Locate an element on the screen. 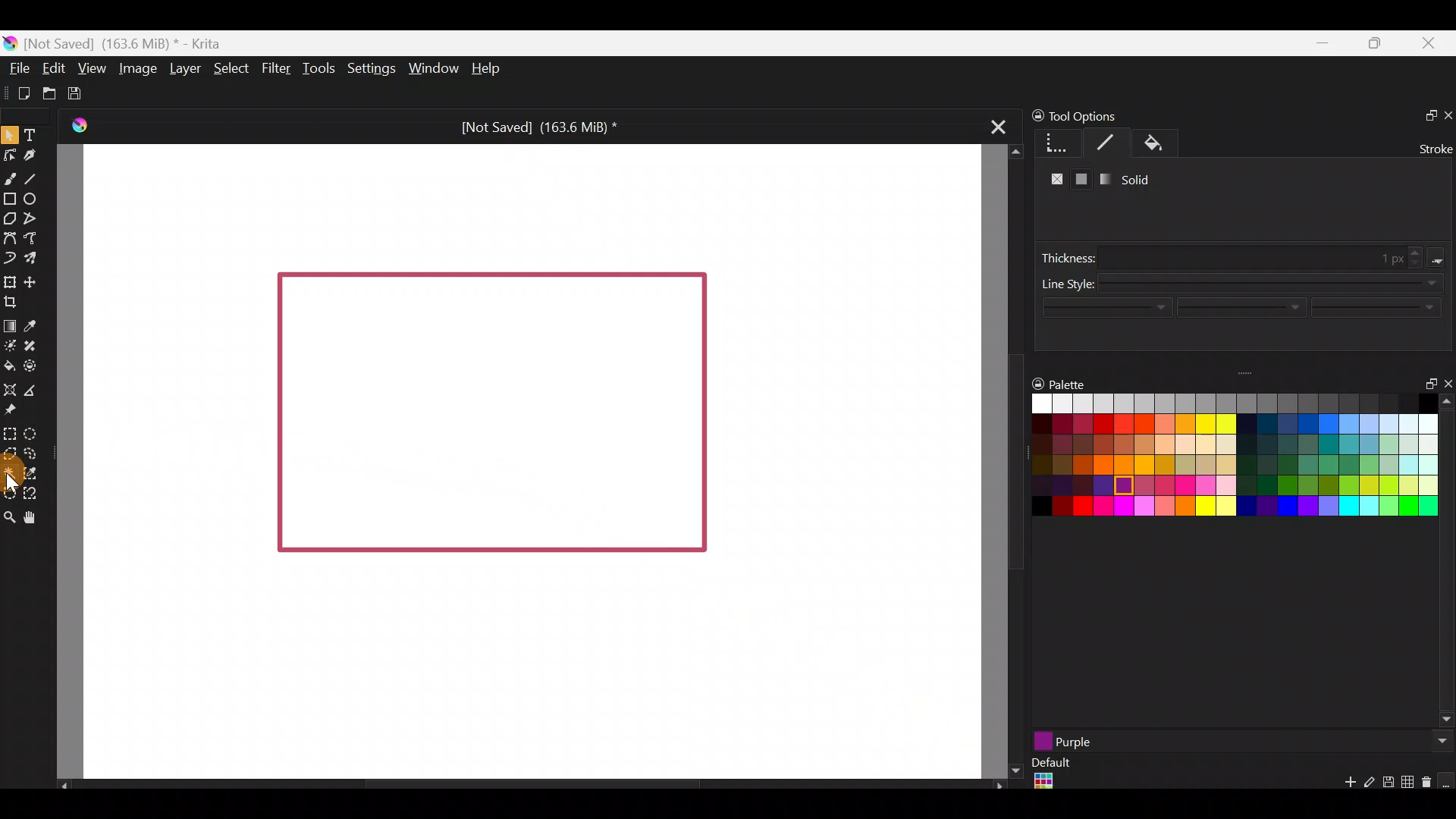 This screenshot has height=819, width=1456. Krita Logo is located at coordinates (80, 124).